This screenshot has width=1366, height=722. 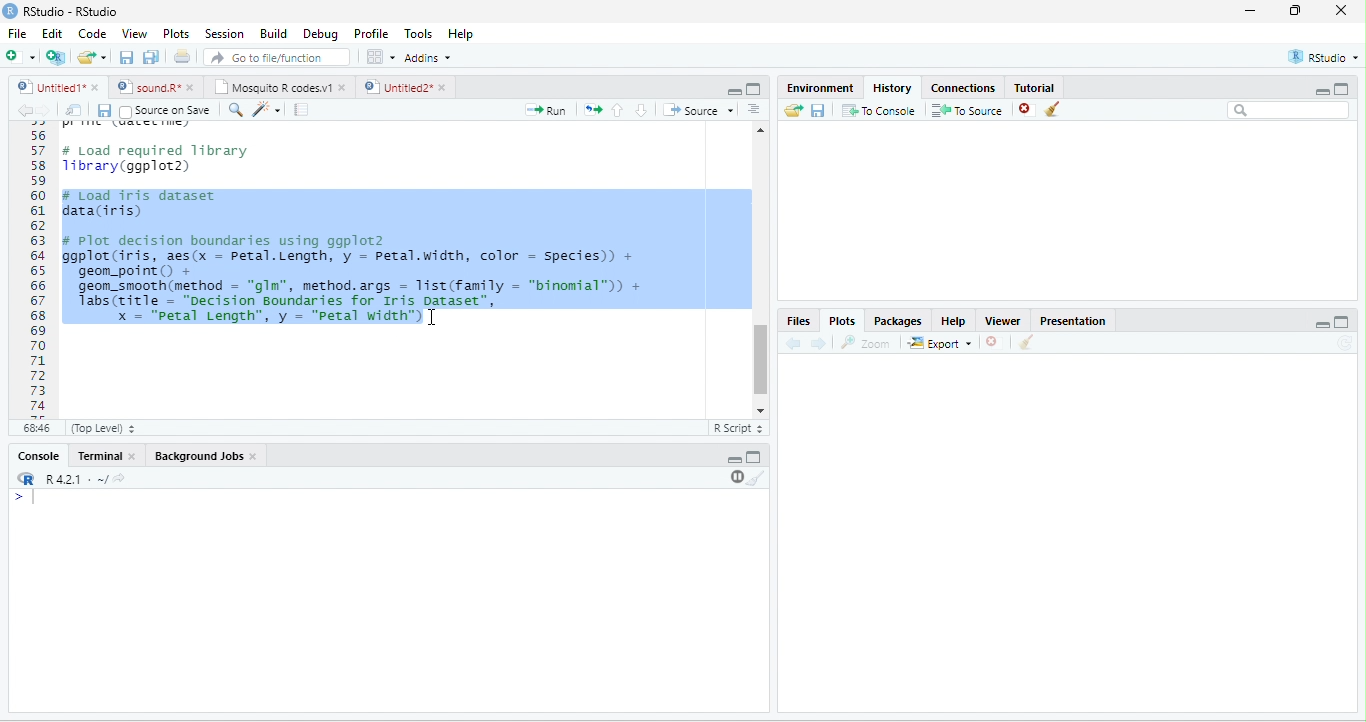 I want to click on Build, so click(x=275, y=34).